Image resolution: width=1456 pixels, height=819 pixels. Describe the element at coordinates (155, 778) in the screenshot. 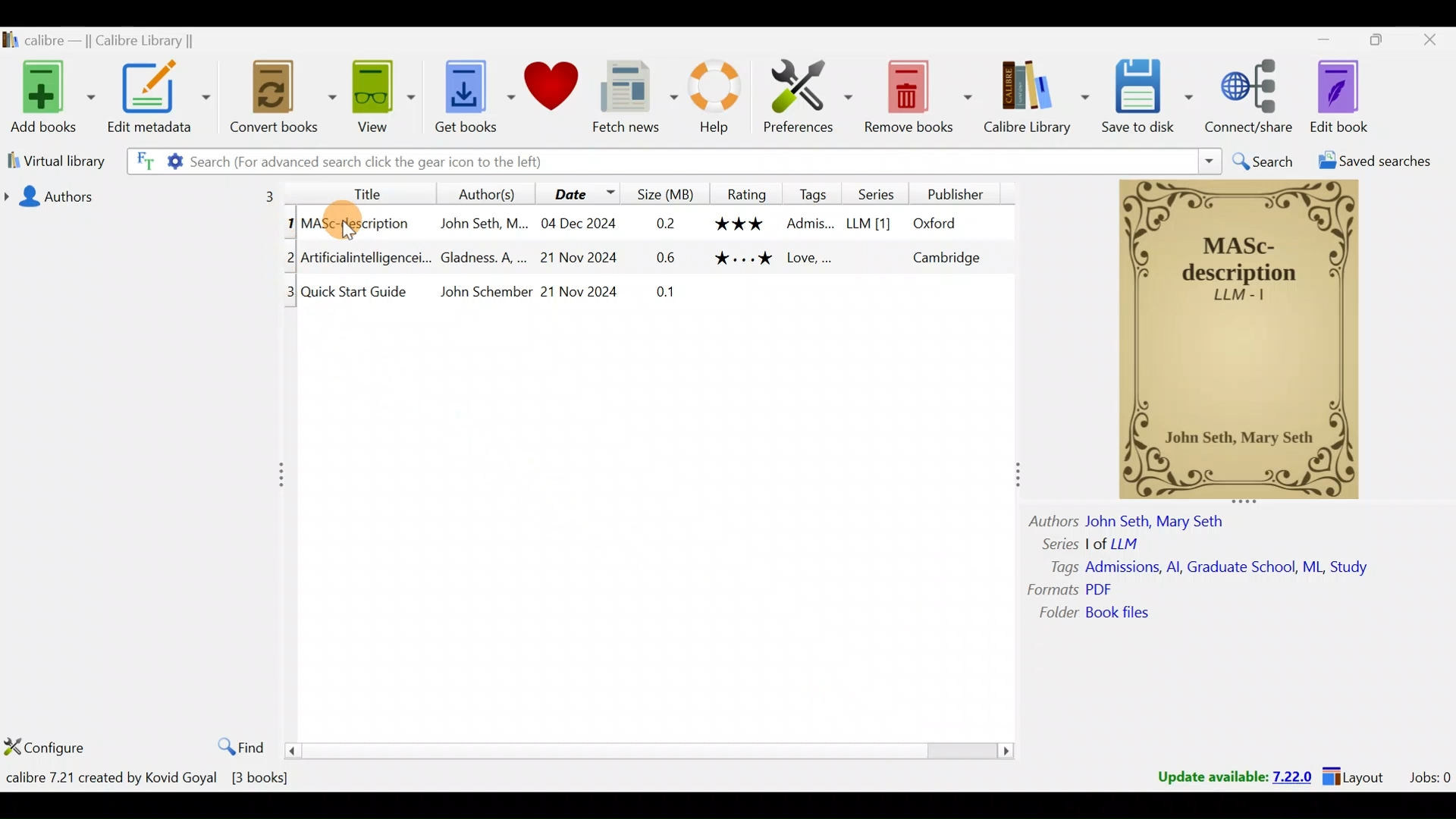

I see `Books count` at that location.